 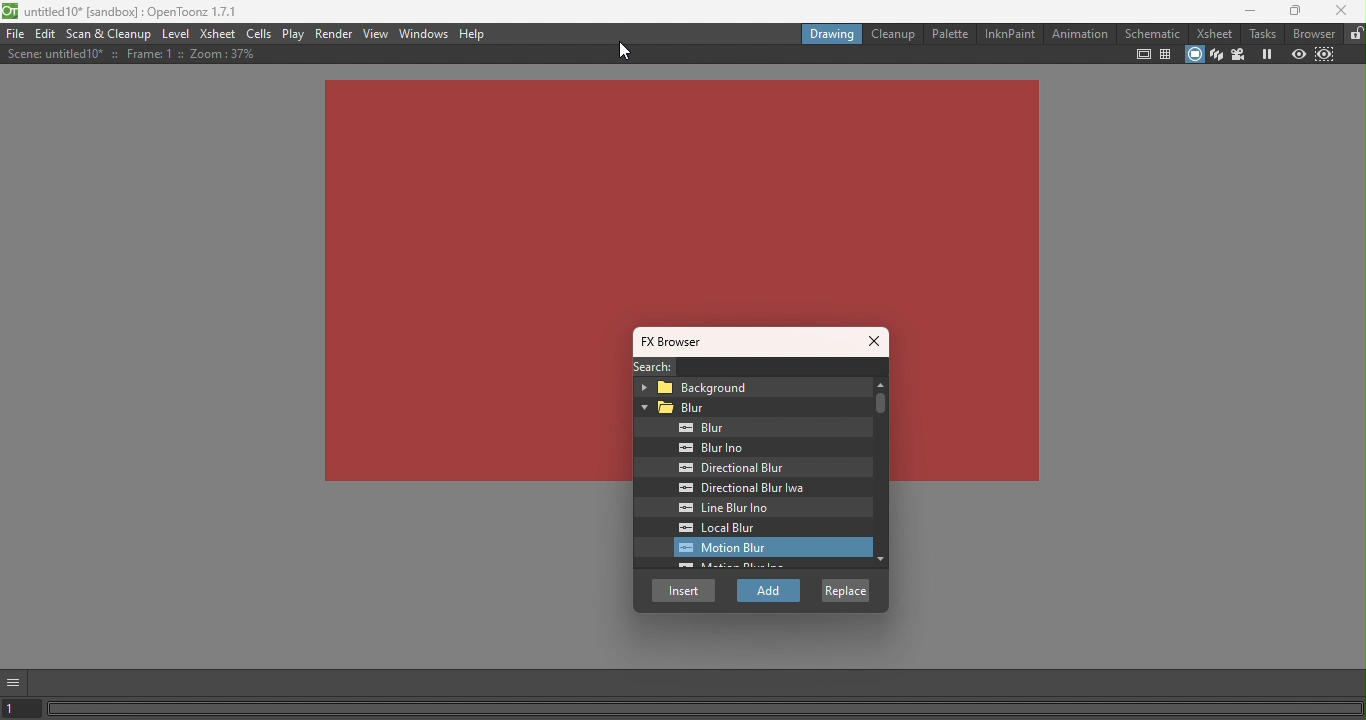 I want to click on Scan & Cleanup, so click(x=111, y=33).